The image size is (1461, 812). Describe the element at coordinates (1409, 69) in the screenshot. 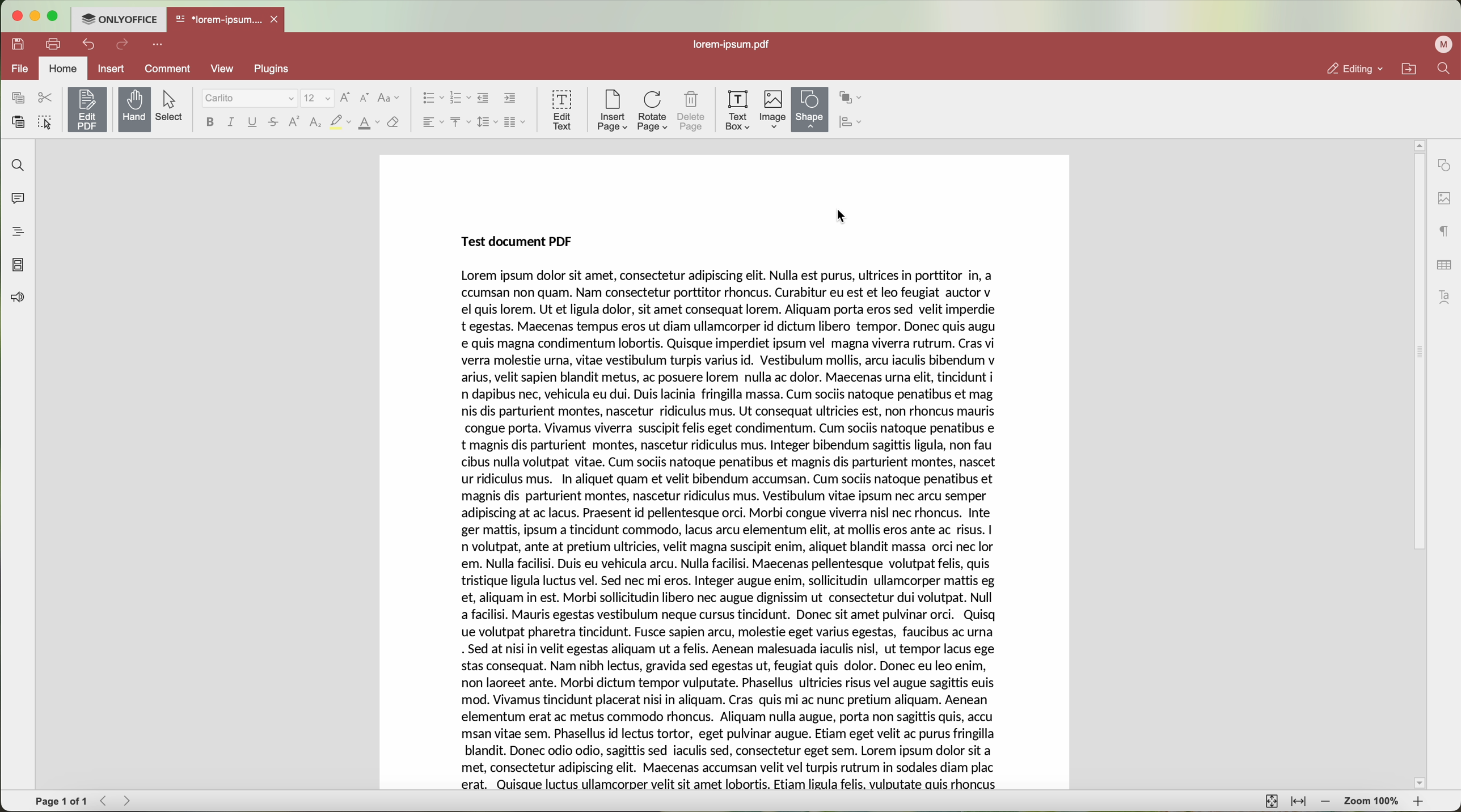

I see `open file location` at that location.